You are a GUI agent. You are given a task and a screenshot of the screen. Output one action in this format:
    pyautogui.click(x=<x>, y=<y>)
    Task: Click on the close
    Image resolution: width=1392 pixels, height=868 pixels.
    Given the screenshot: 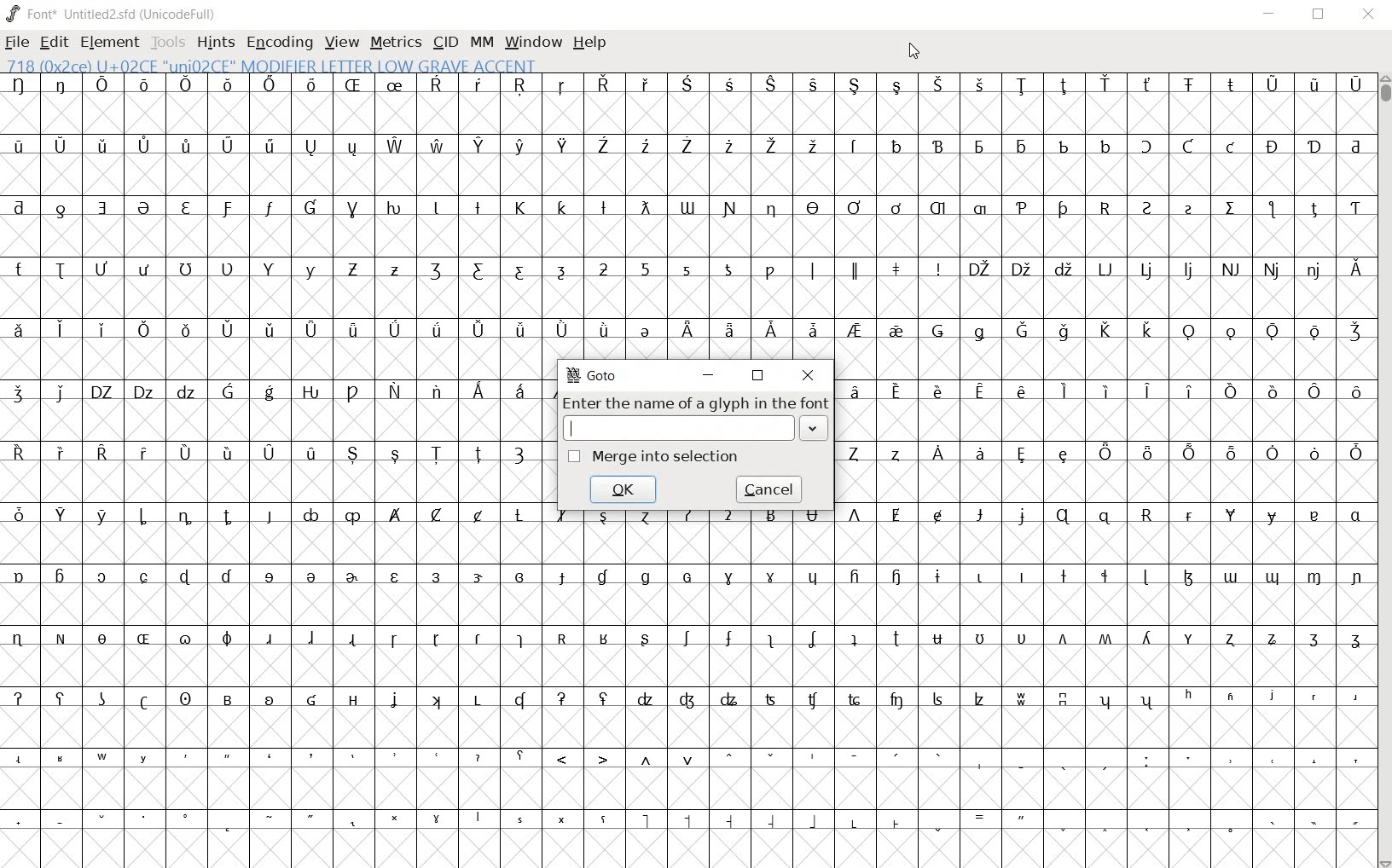 What is the action you would take?
    pyautogui.click(x=1369, y=14)
    